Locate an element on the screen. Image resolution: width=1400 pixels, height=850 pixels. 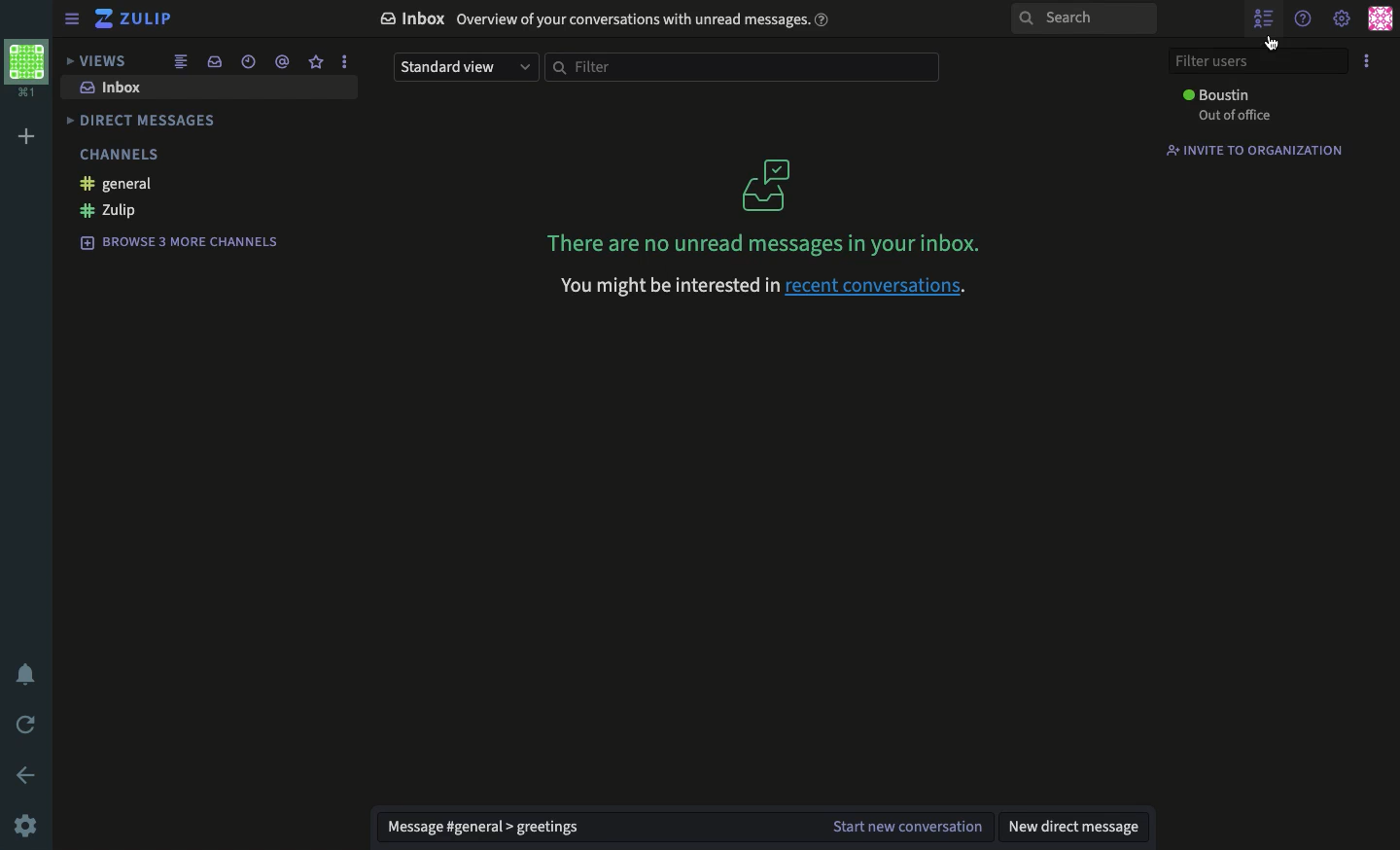
start new conversation is located at coordinates (901, 825).